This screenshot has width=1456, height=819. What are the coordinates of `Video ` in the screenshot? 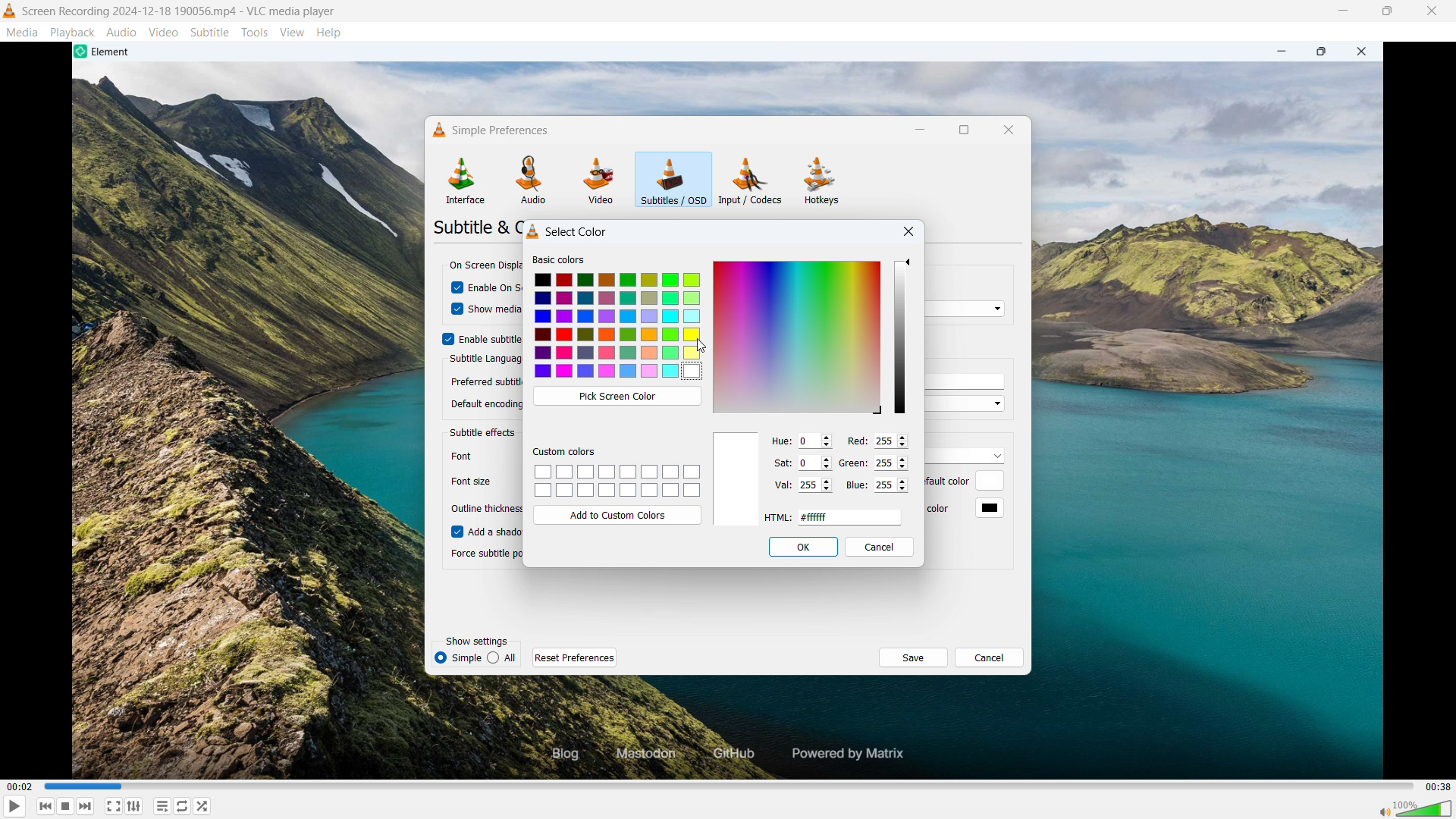 It's located at (163, 33).